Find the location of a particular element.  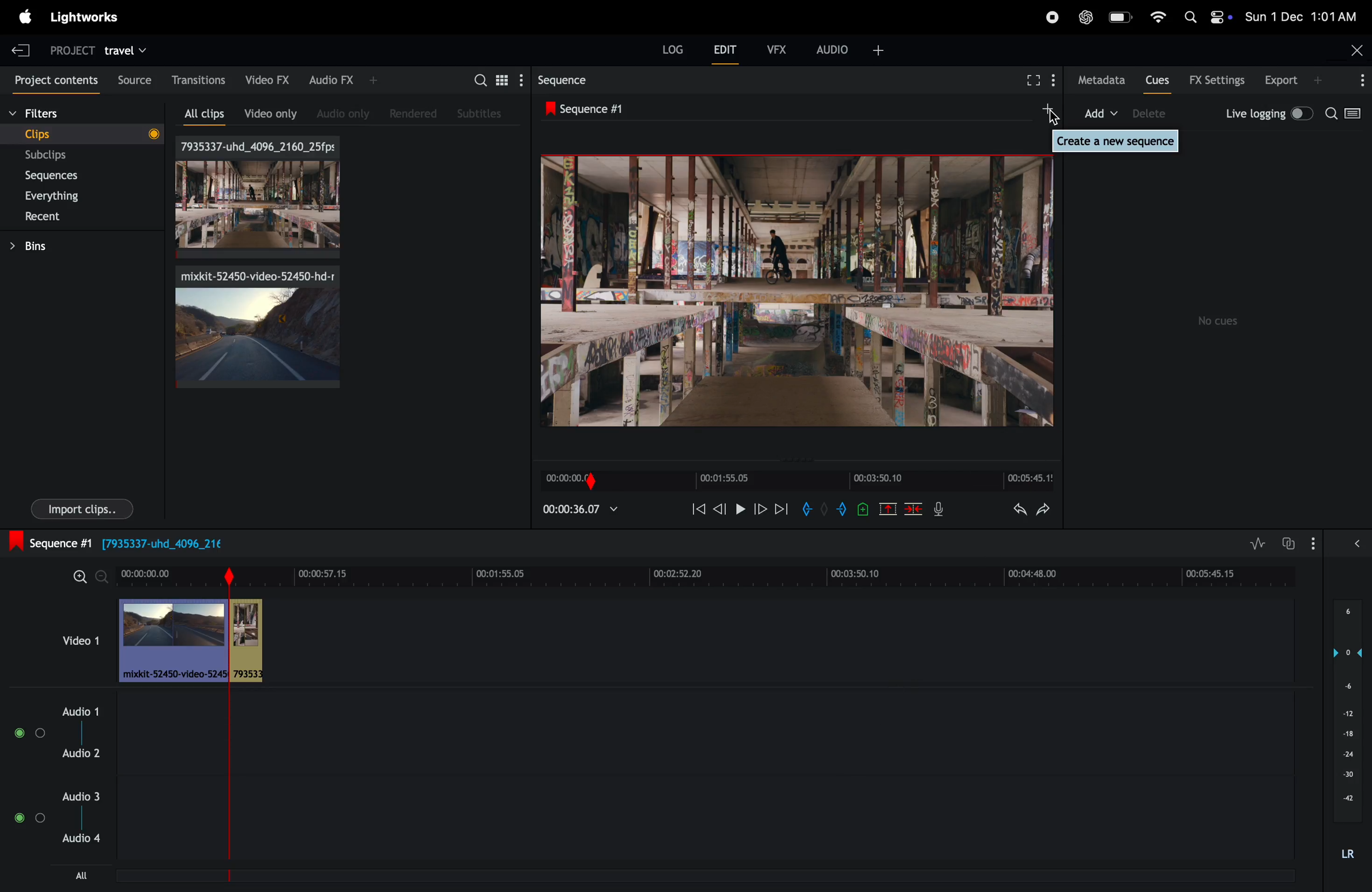

live logging is located at coordinates (1269, 114).